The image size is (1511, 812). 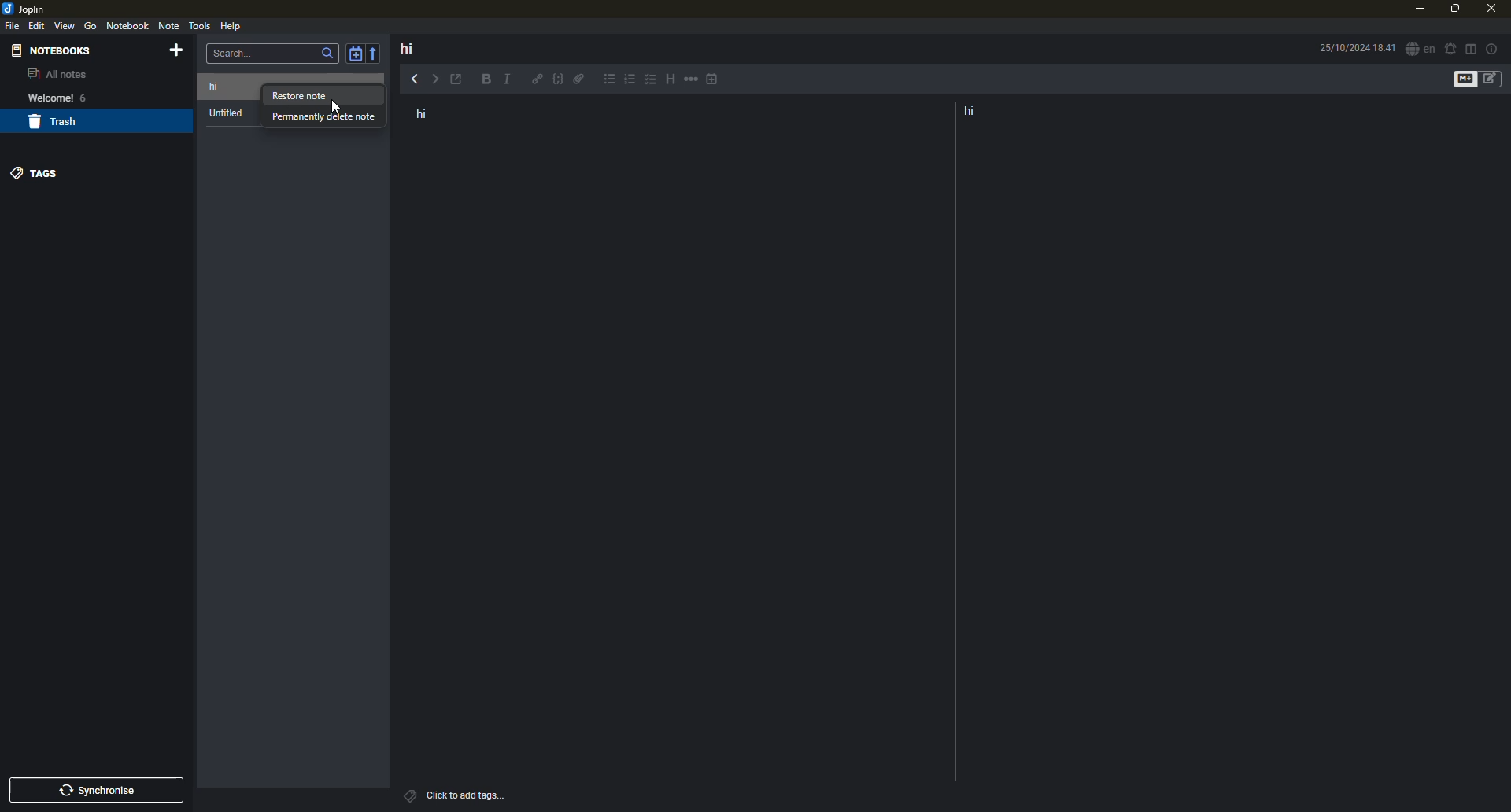 I want to click on set alarm, so click(x=1450, y=47).